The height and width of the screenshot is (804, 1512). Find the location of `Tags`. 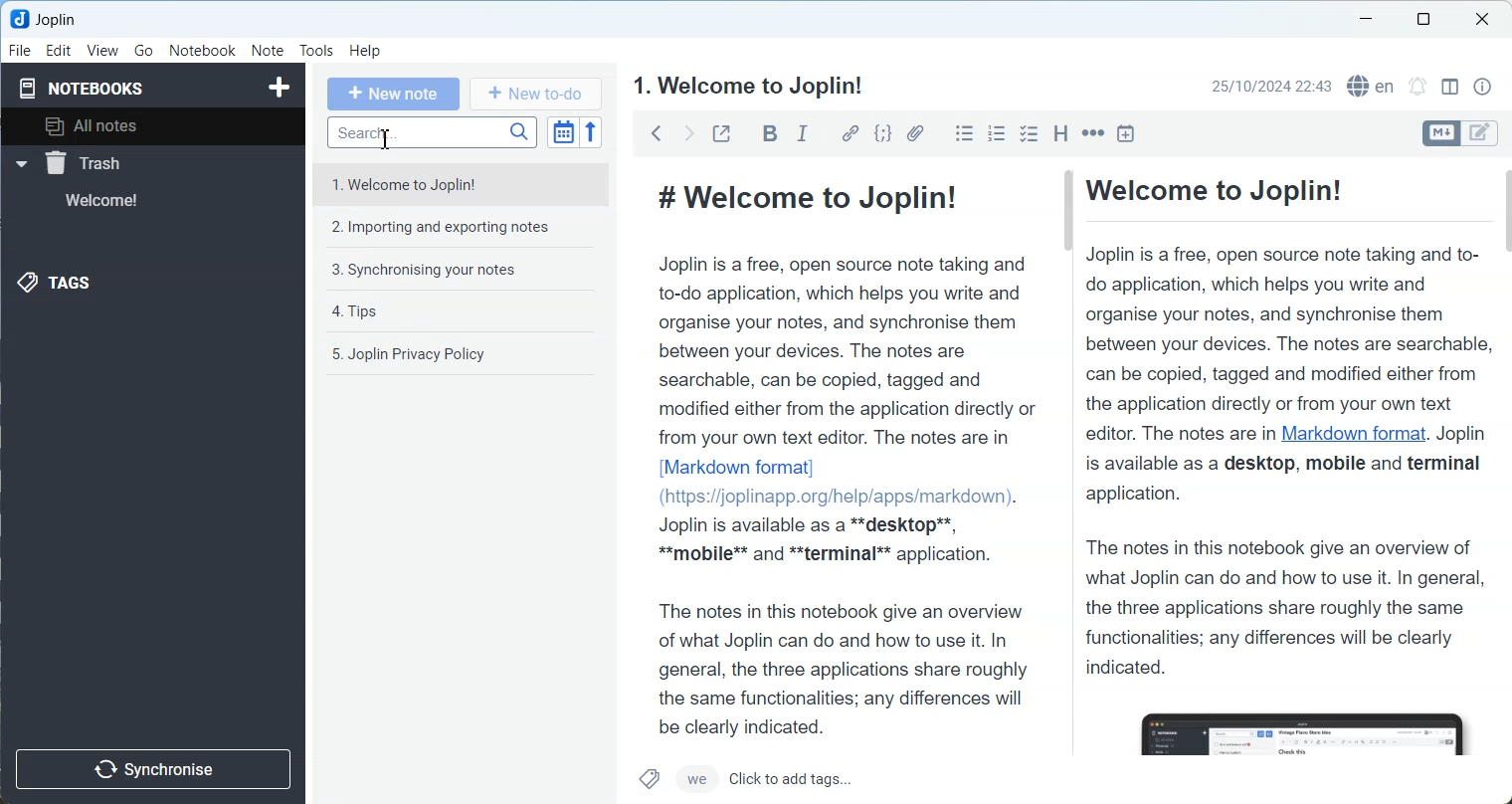

Tags is located at coordinates (651, 779).